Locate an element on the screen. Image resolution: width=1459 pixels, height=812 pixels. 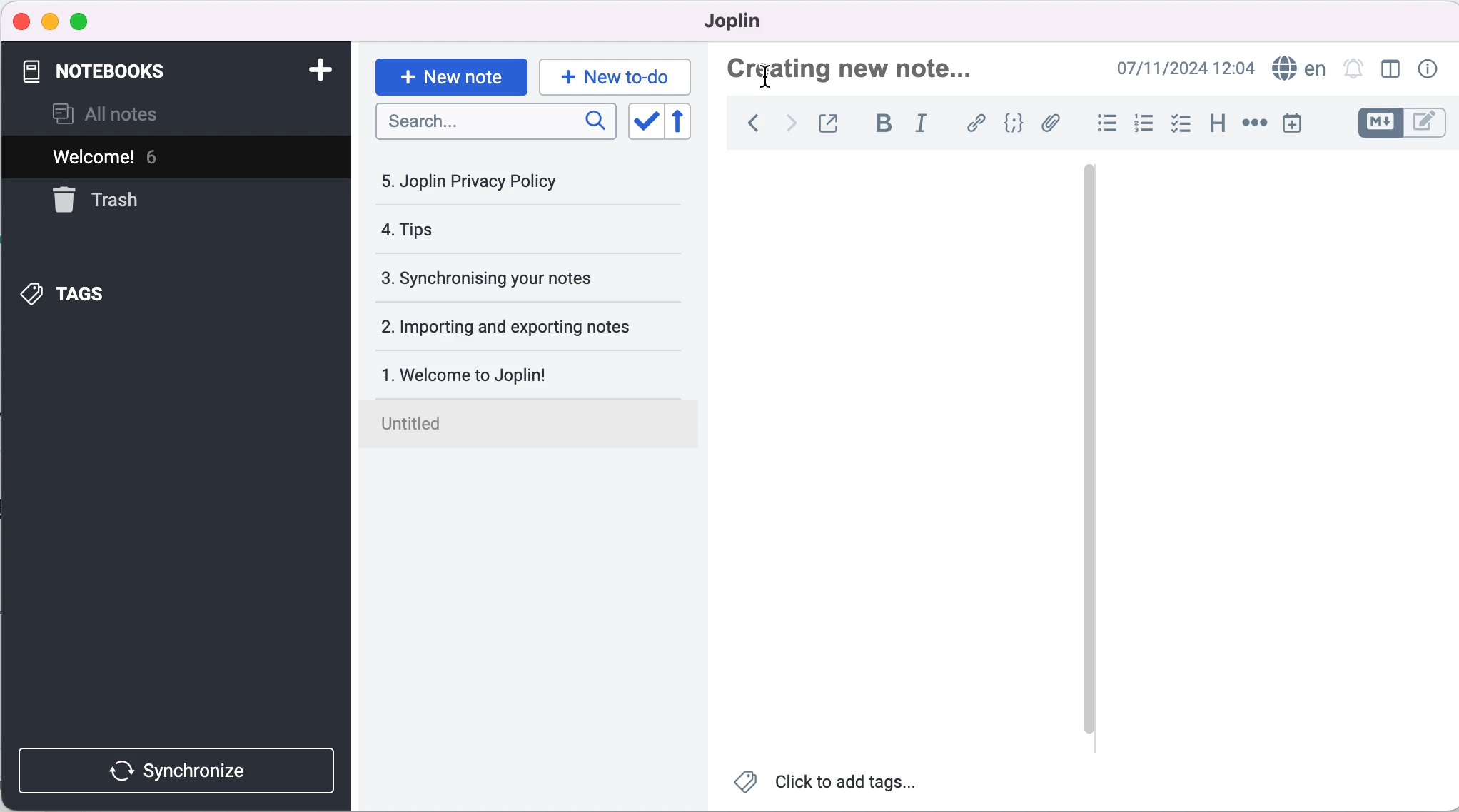
notebooks is located at coordinates (158, 71).